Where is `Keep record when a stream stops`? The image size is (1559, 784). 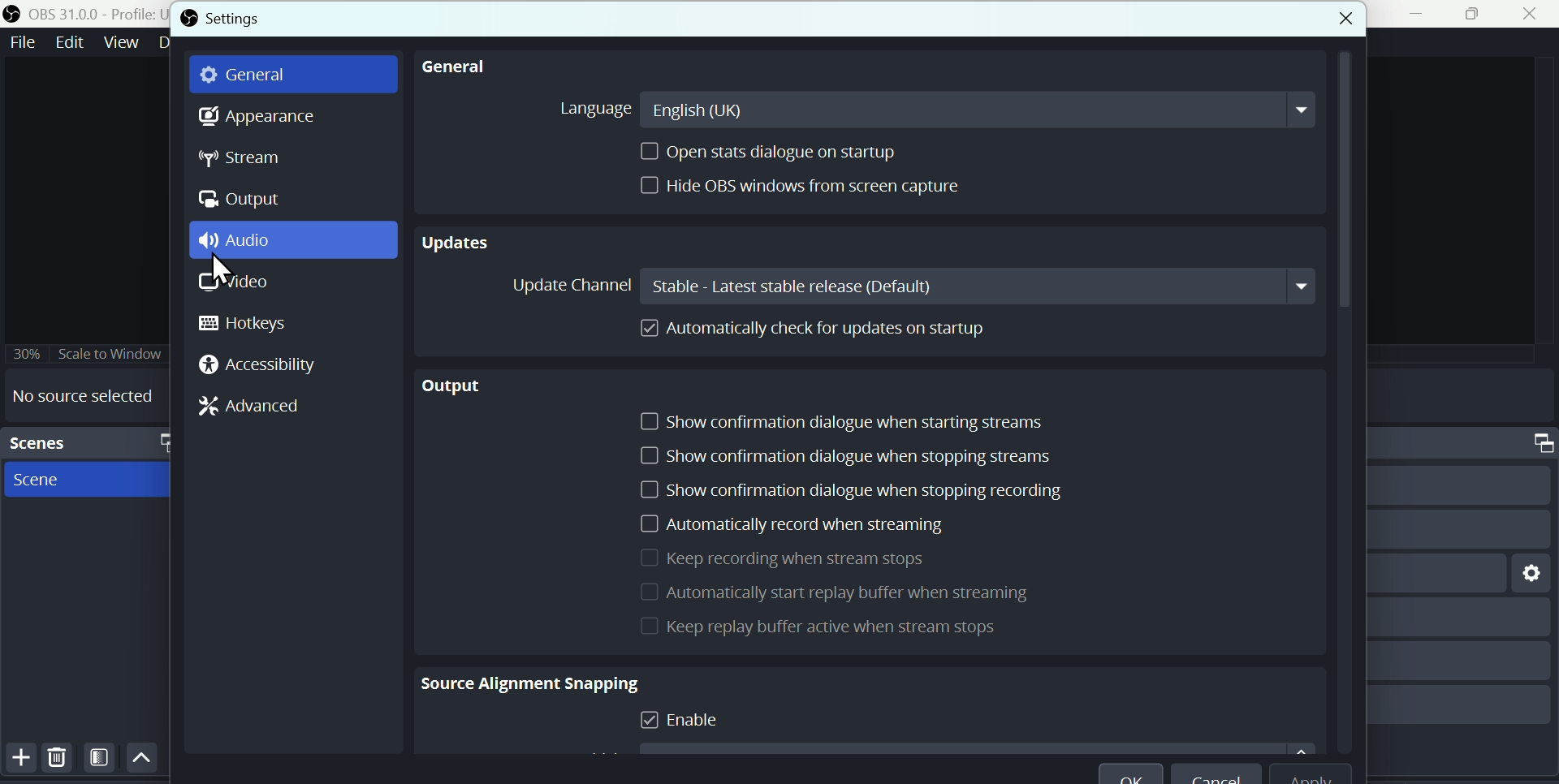
Keep record when a stream stops is located at coordinates (788, 559).